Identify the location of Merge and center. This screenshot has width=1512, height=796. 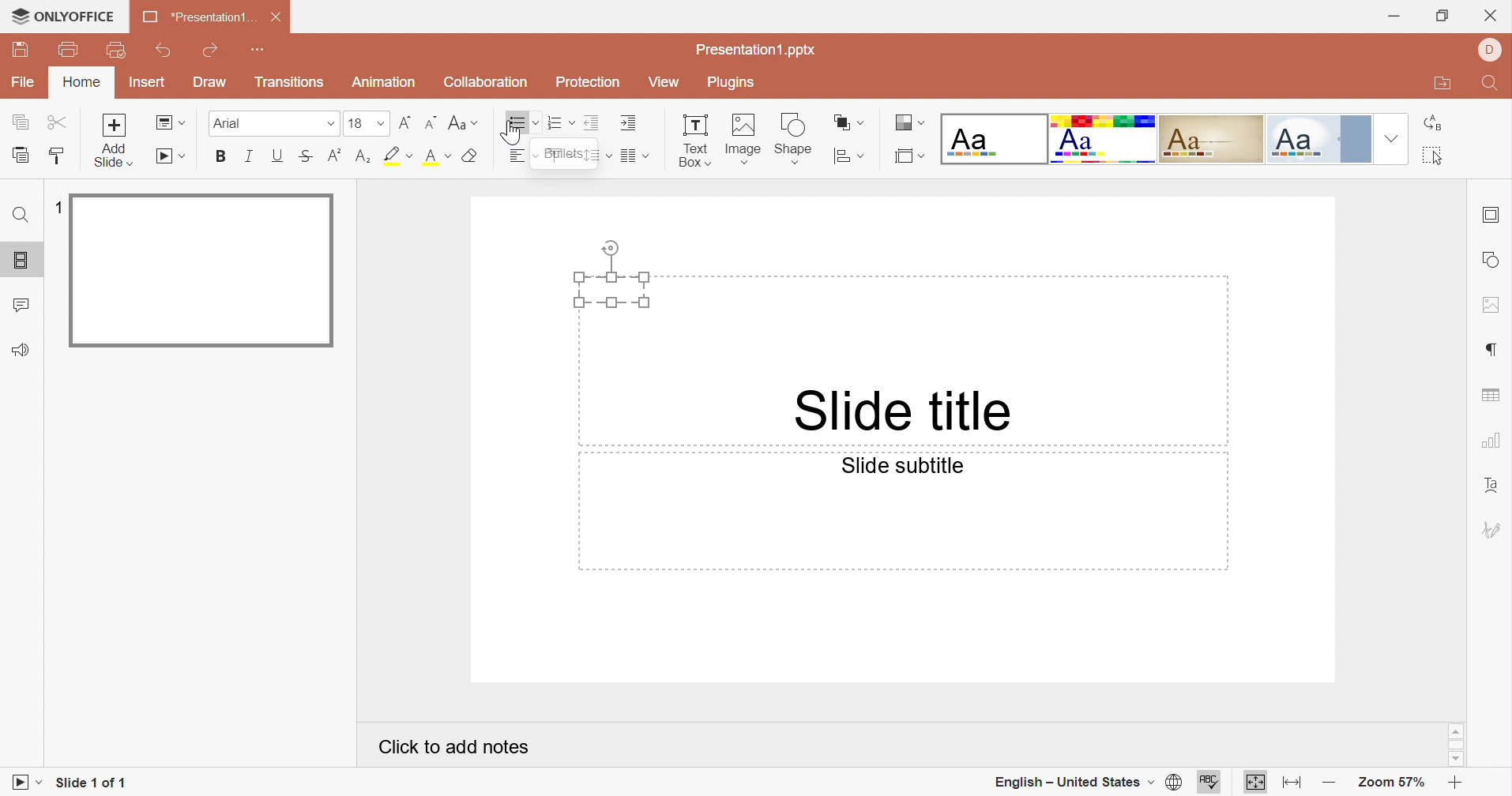
(629, 156).